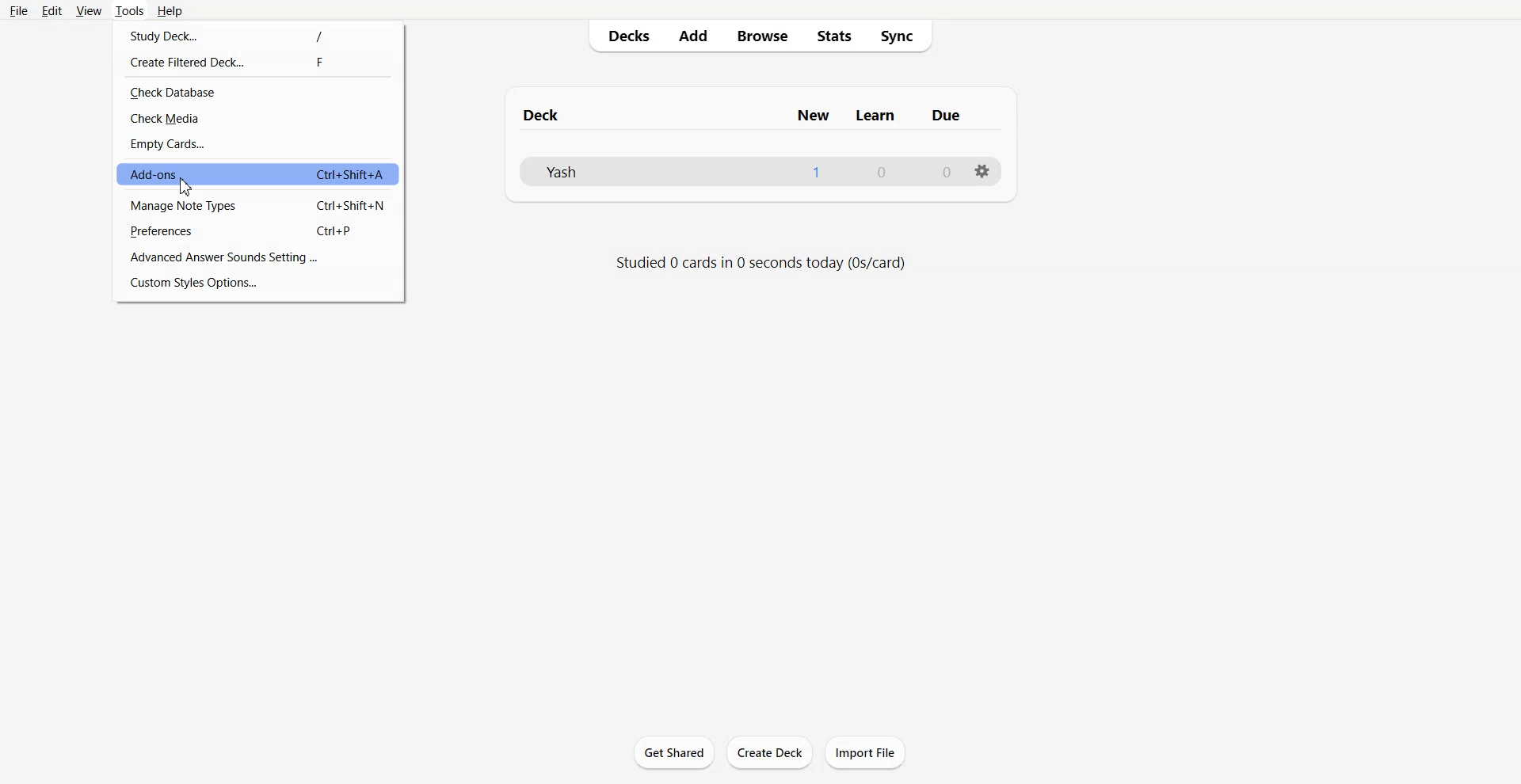  I want to click on deck, so click(567, 115).